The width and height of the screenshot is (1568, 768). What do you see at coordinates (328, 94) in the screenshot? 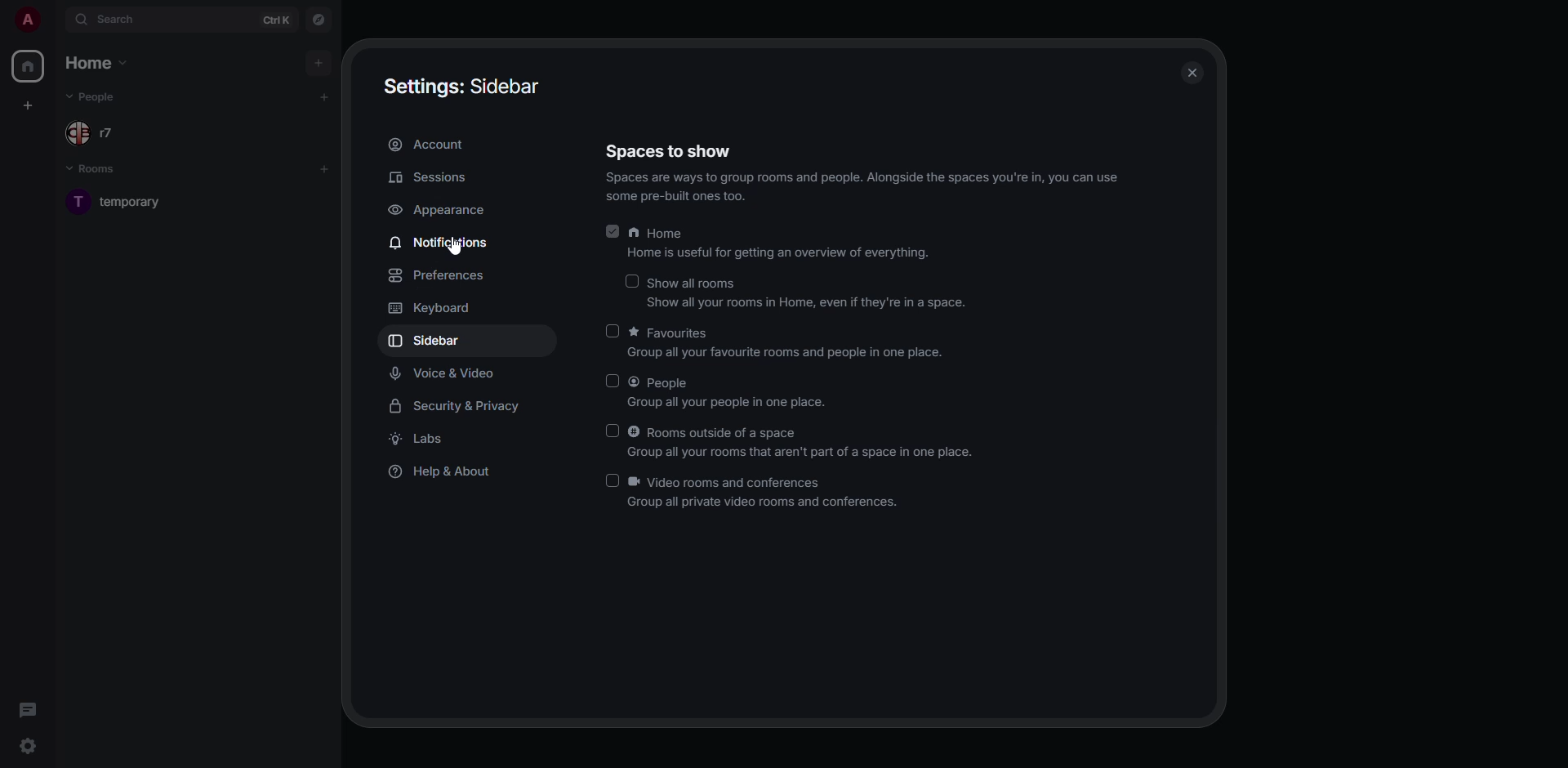
I see `add` at bounding box center [328, 94].